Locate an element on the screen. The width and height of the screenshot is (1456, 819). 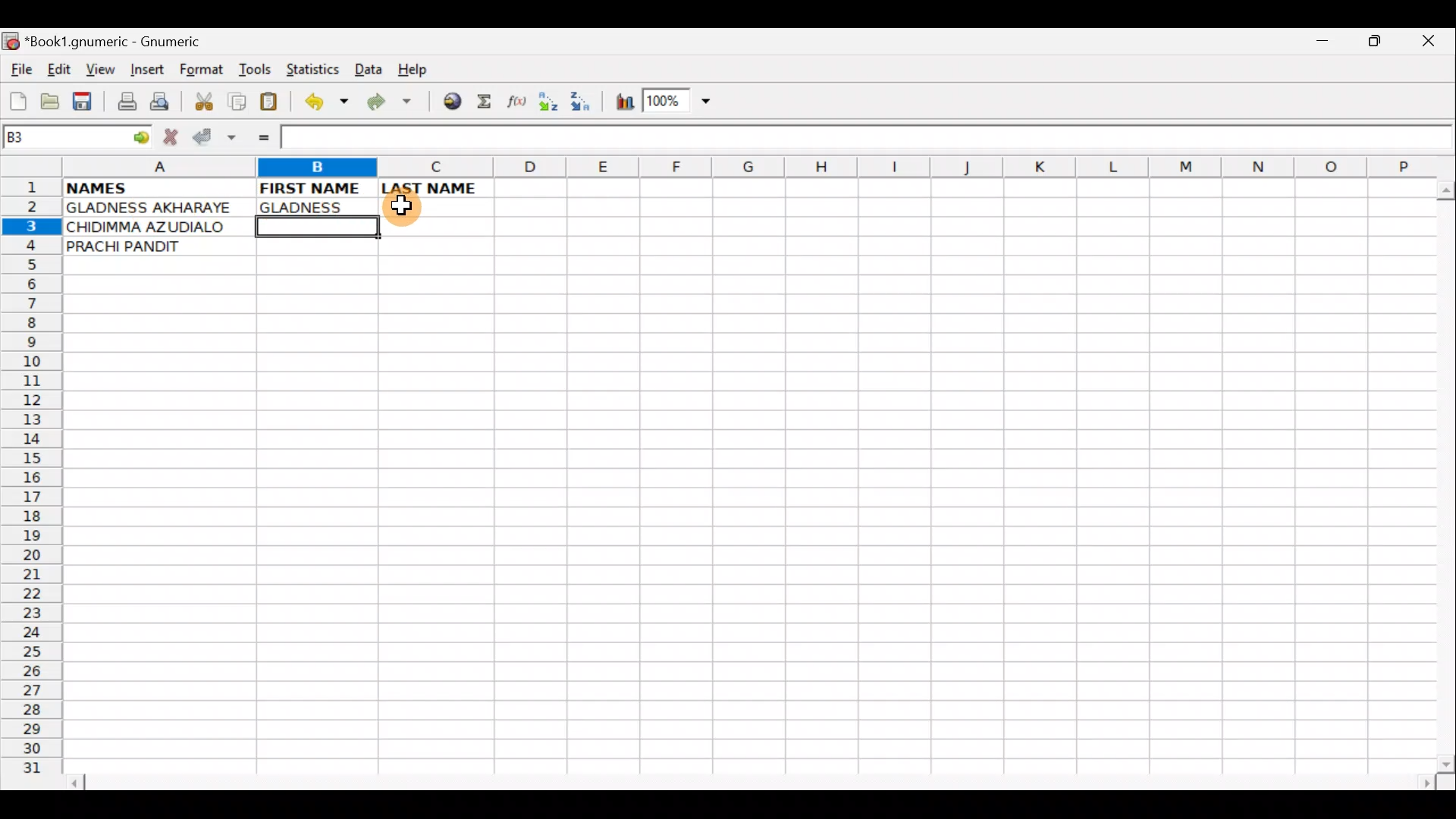
Cut selection is located at coordinates (203, 99).